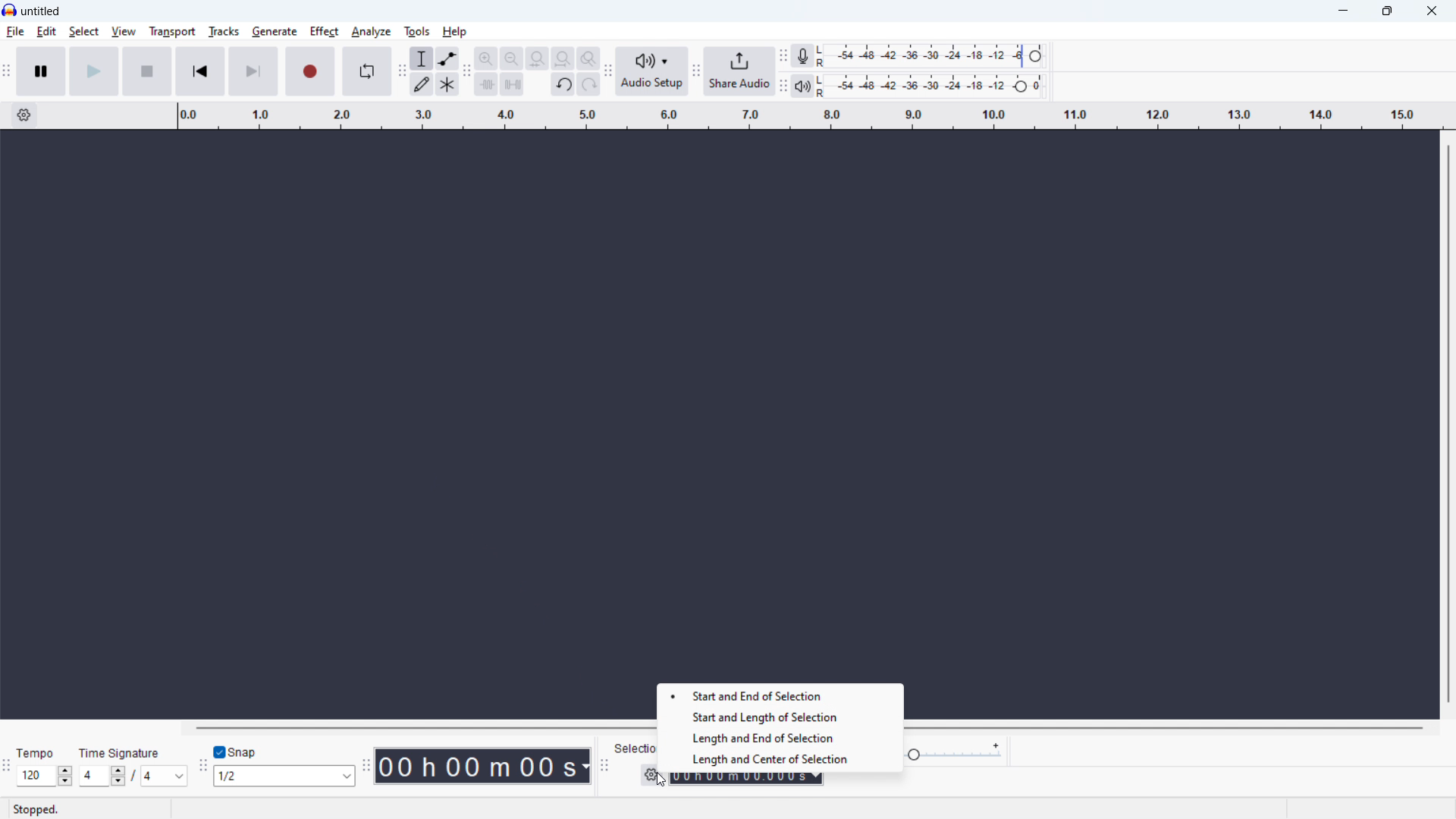 The image size is (1456, 819). I want to click on select, so click(84, 32).